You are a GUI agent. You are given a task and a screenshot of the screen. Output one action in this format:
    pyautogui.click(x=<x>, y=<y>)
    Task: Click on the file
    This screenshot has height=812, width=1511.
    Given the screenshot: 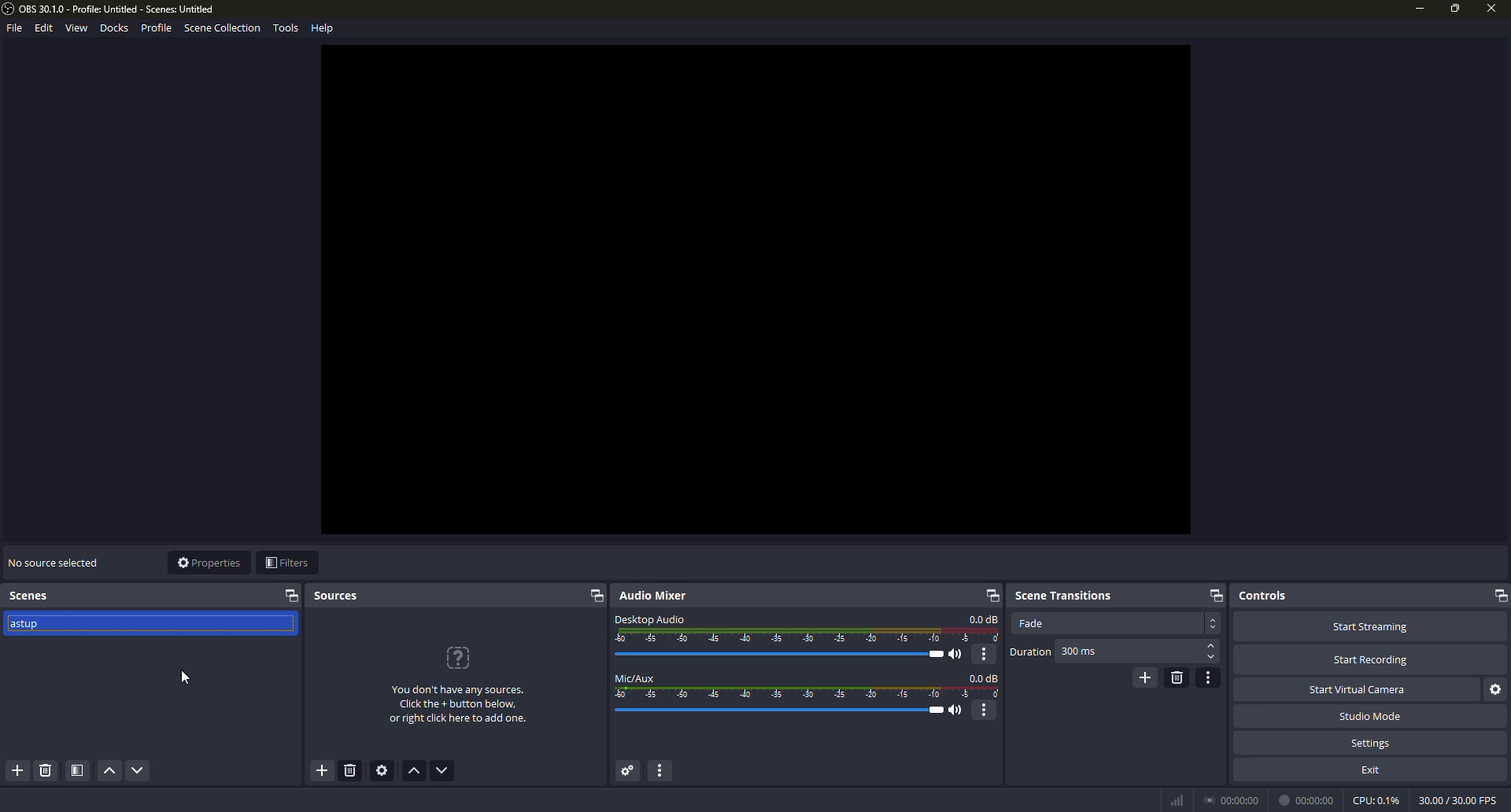 What is the action you would take?
    pyautogui.click(x=13, y=30)
    